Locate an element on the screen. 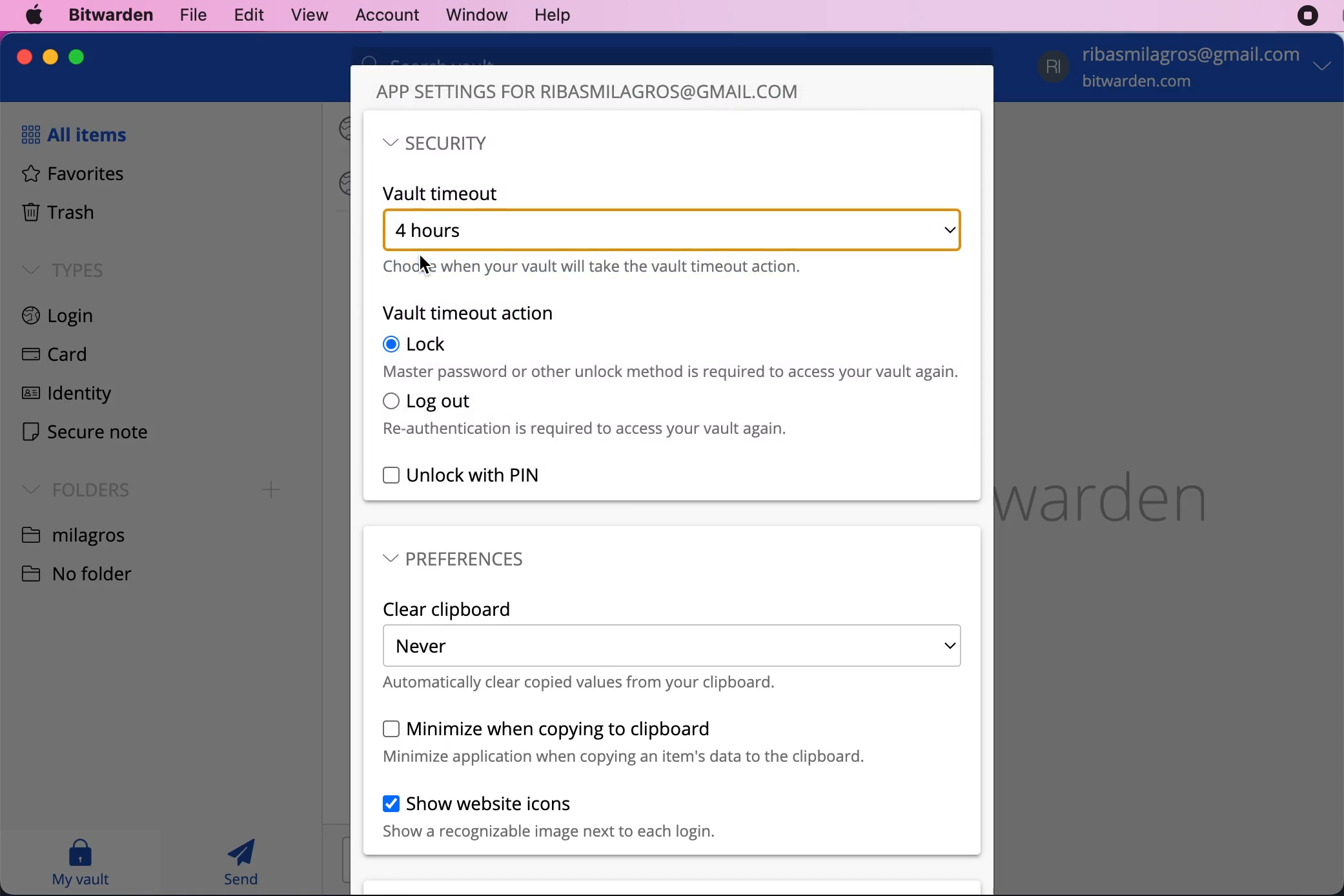  favorites is located at coordinates (66, 176).